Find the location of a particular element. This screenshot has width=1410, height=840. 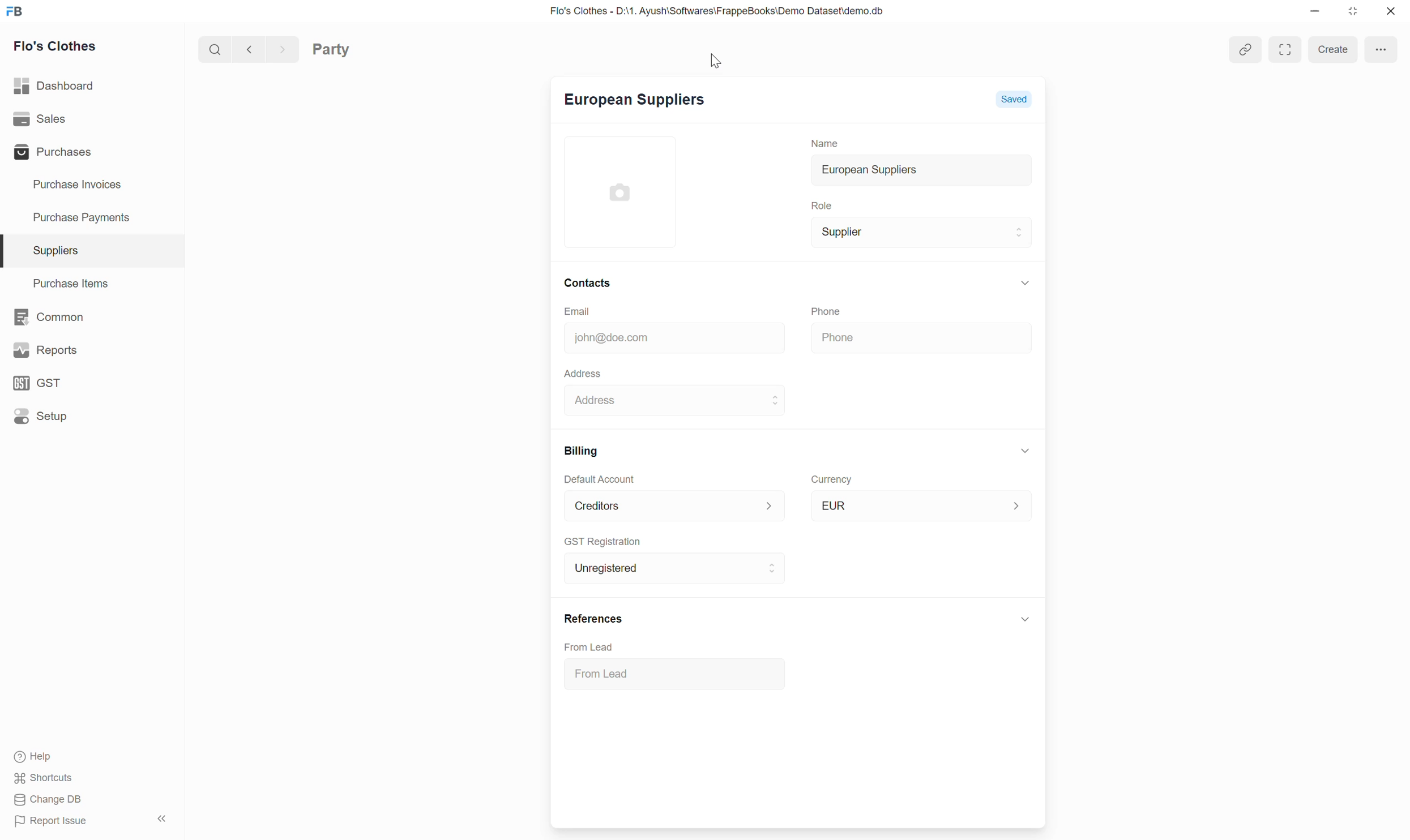

Purchase payments is located at coordinates (70, 217).